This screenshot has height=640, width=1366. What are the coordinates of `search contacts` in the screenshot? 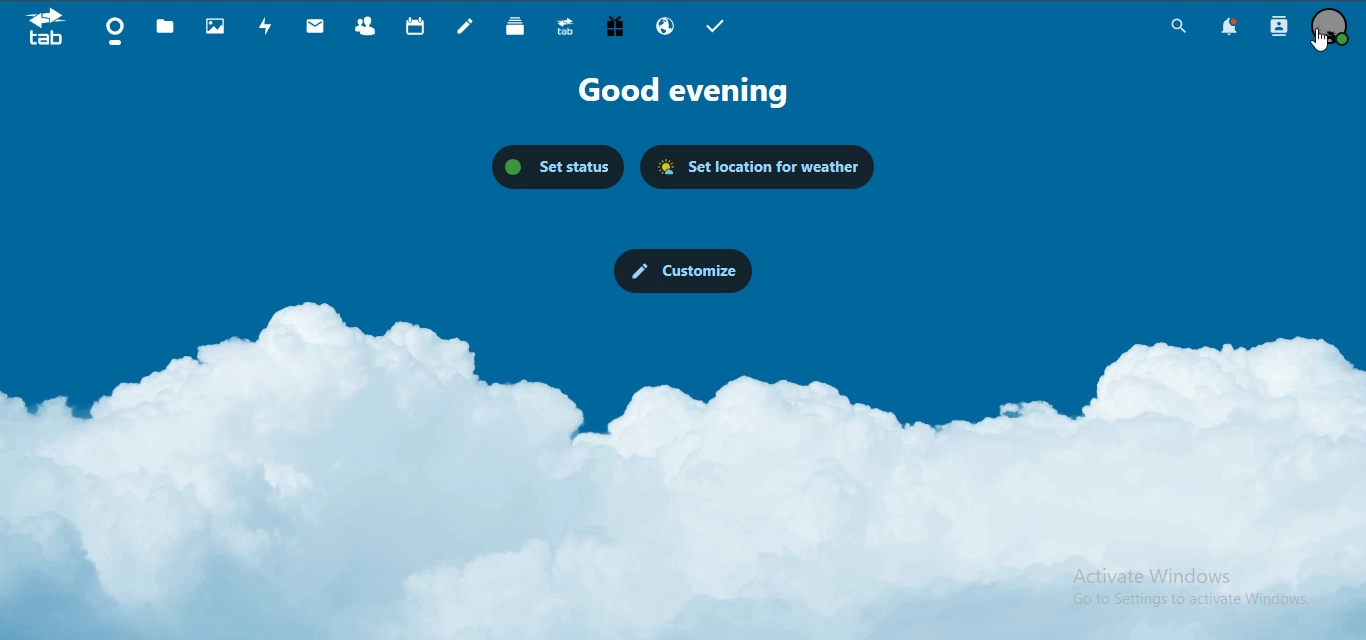 It's located at (1280, 27).